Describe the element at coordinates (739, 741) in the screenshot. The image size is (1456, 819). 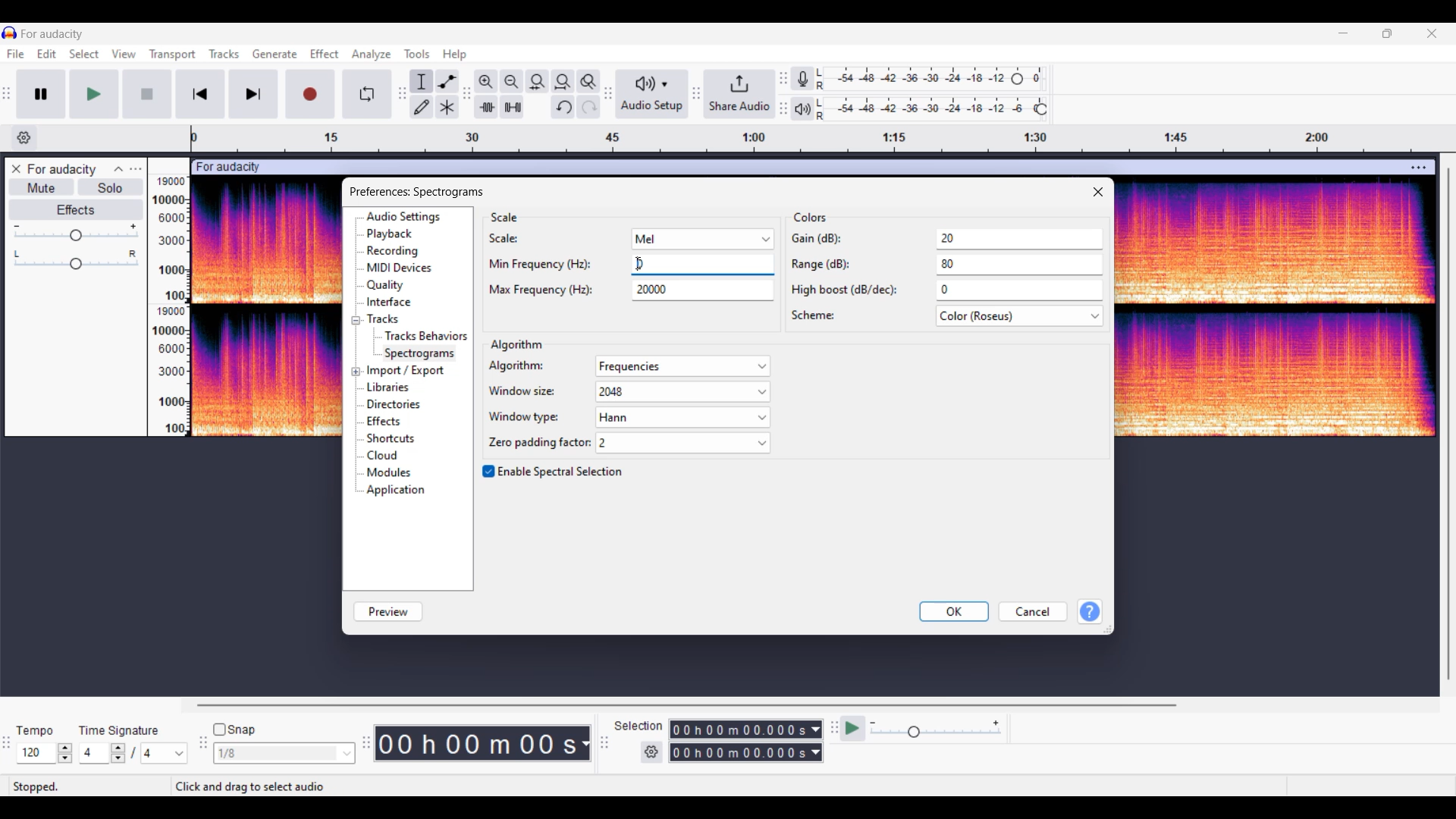
I see `Selection duration` at that location.